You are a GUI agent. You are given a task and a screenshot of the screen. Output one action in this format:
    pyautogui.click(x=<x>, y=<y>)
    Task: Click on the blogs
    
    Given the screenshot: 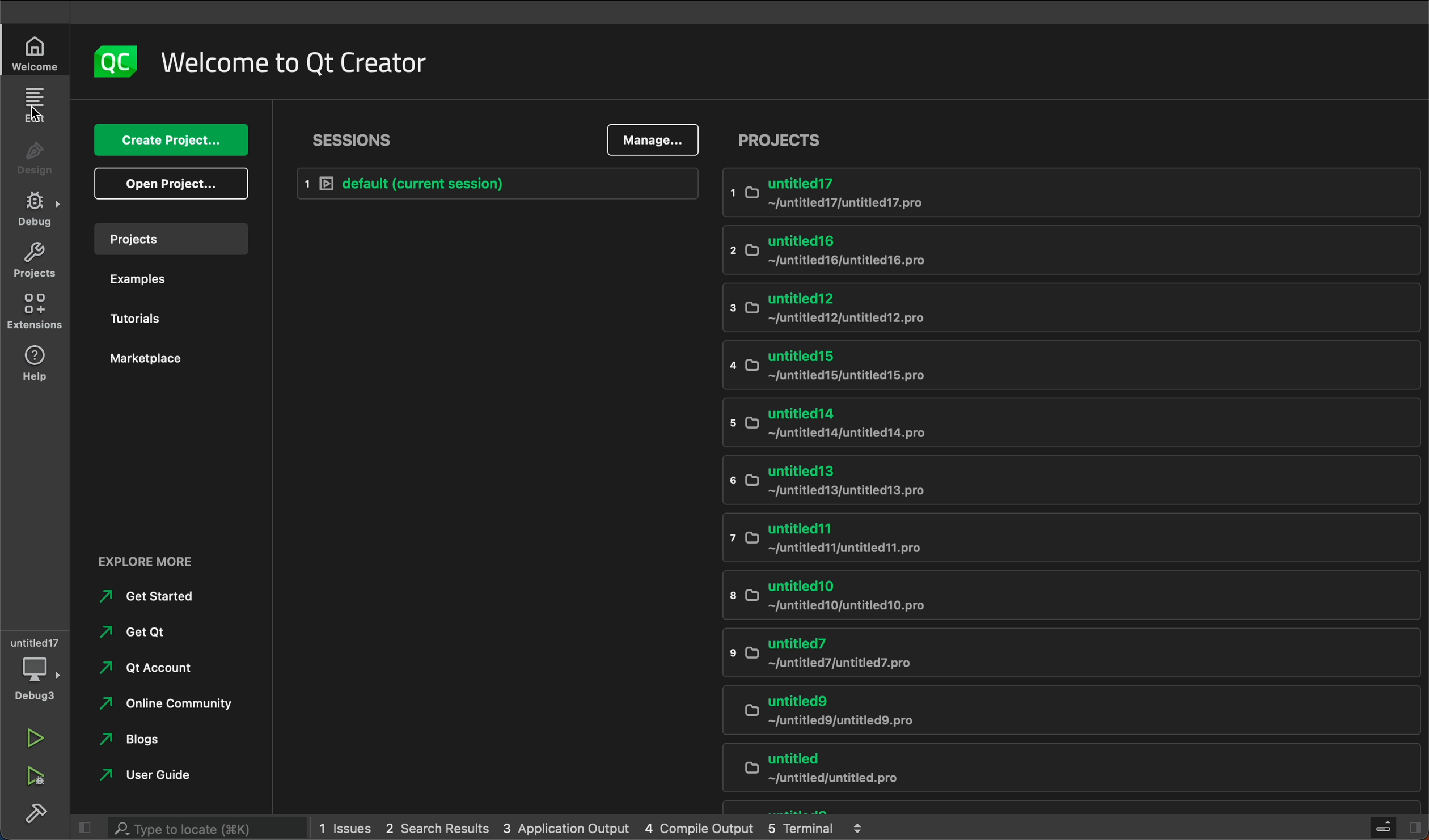 What is the action you would take?
    pyautogui.click(x=139, y=735)
    